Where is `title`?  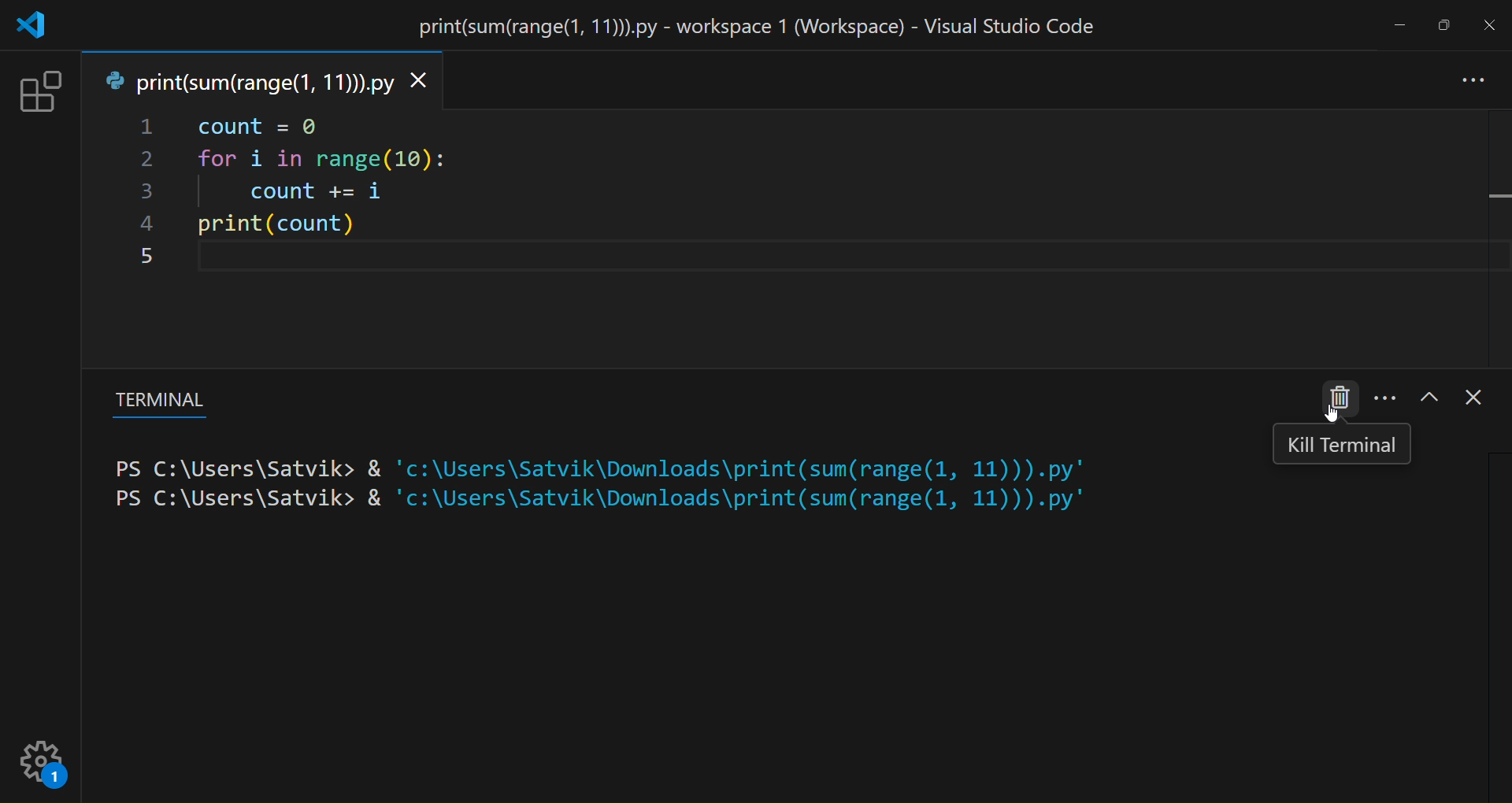
title is located at coordinates (762, 29).